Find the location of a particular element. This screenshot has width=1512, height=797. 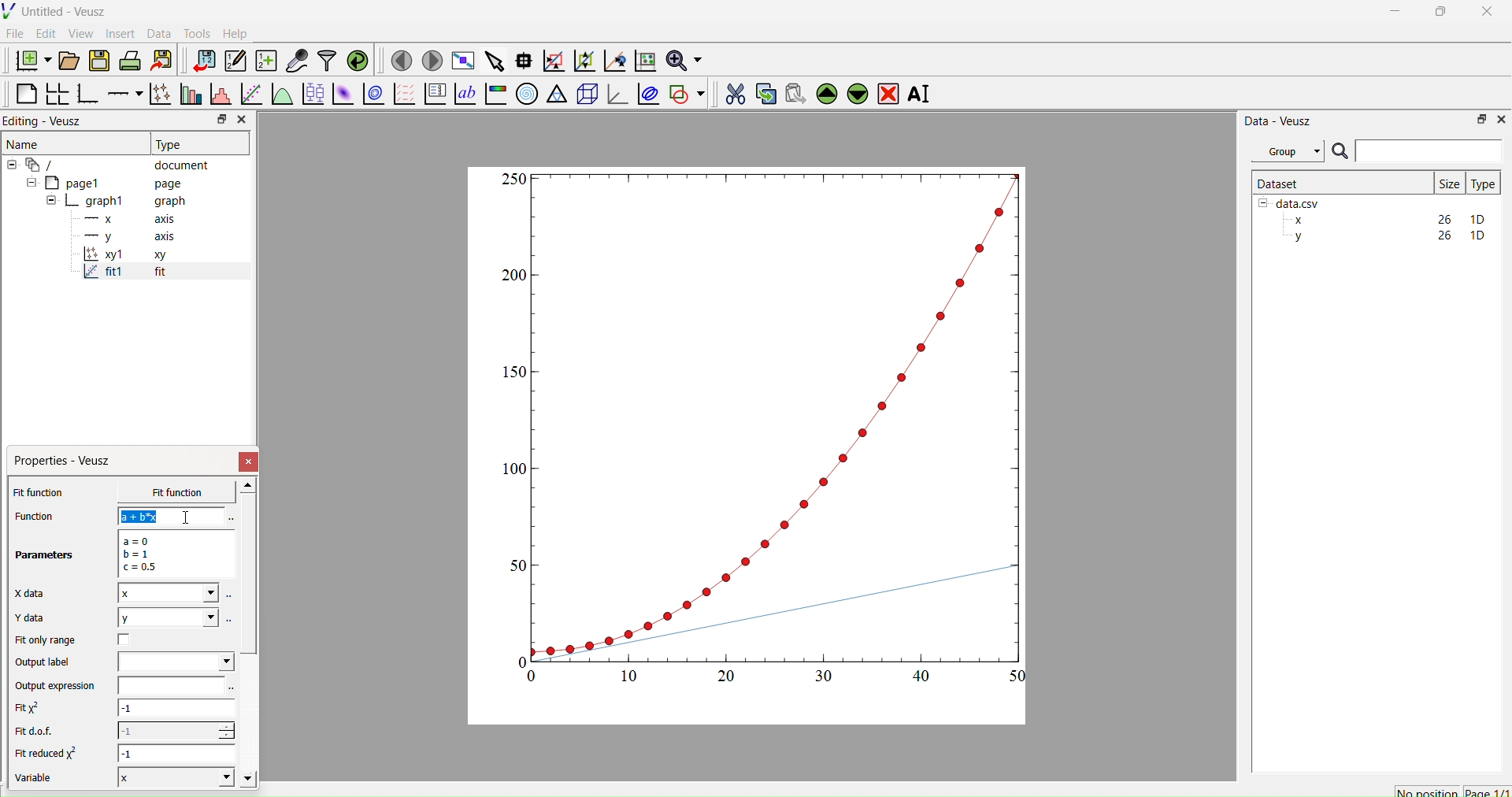

Reload linked dataset is located at coordinates (356, 59).